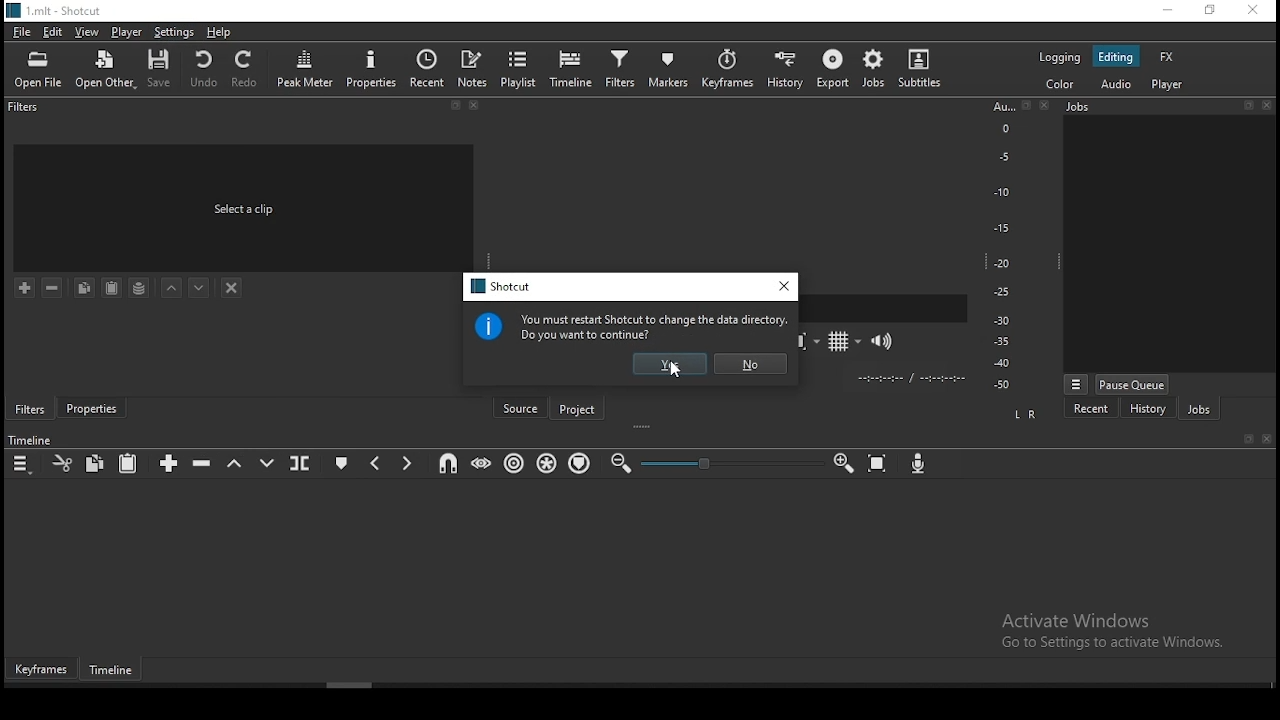 This screenshot has height=720, width=1280. Describe the element at coordinates (579, 464) in the screenshot. I see `ripple markers` at that location.